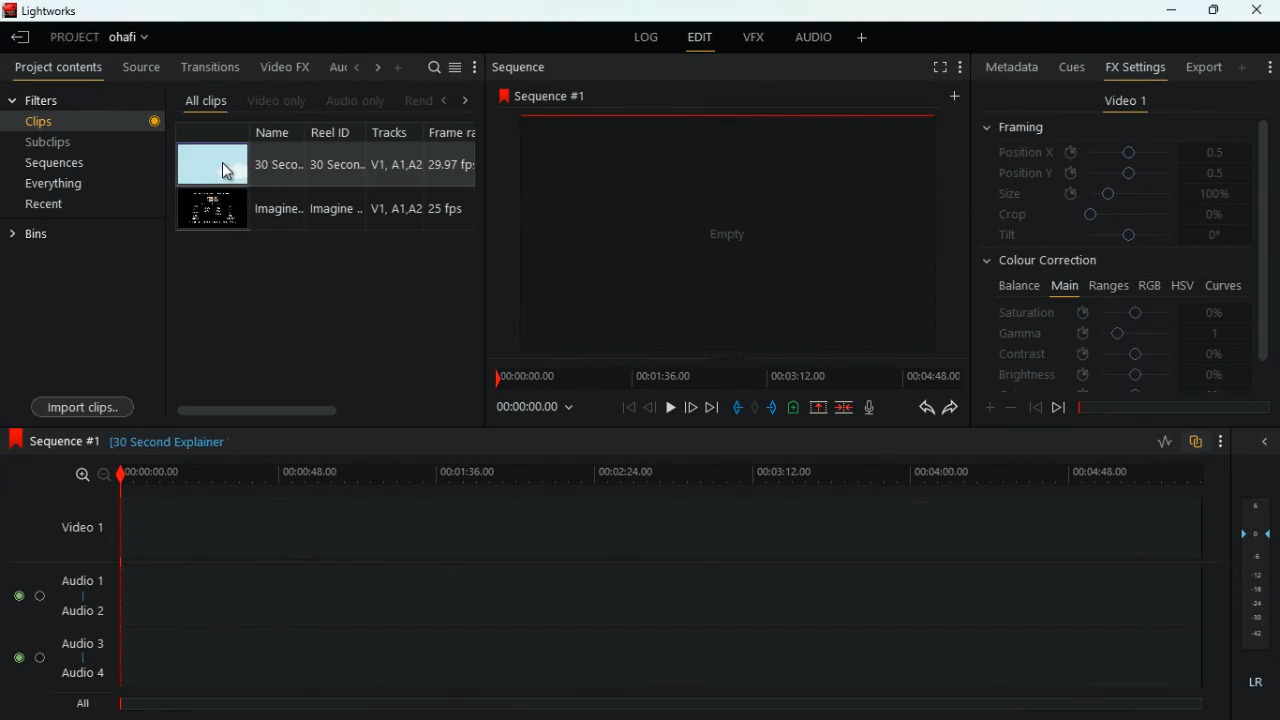 The height and width of the screenshot is (720, 1280). I want to click on minimize, so click(1175, 10).